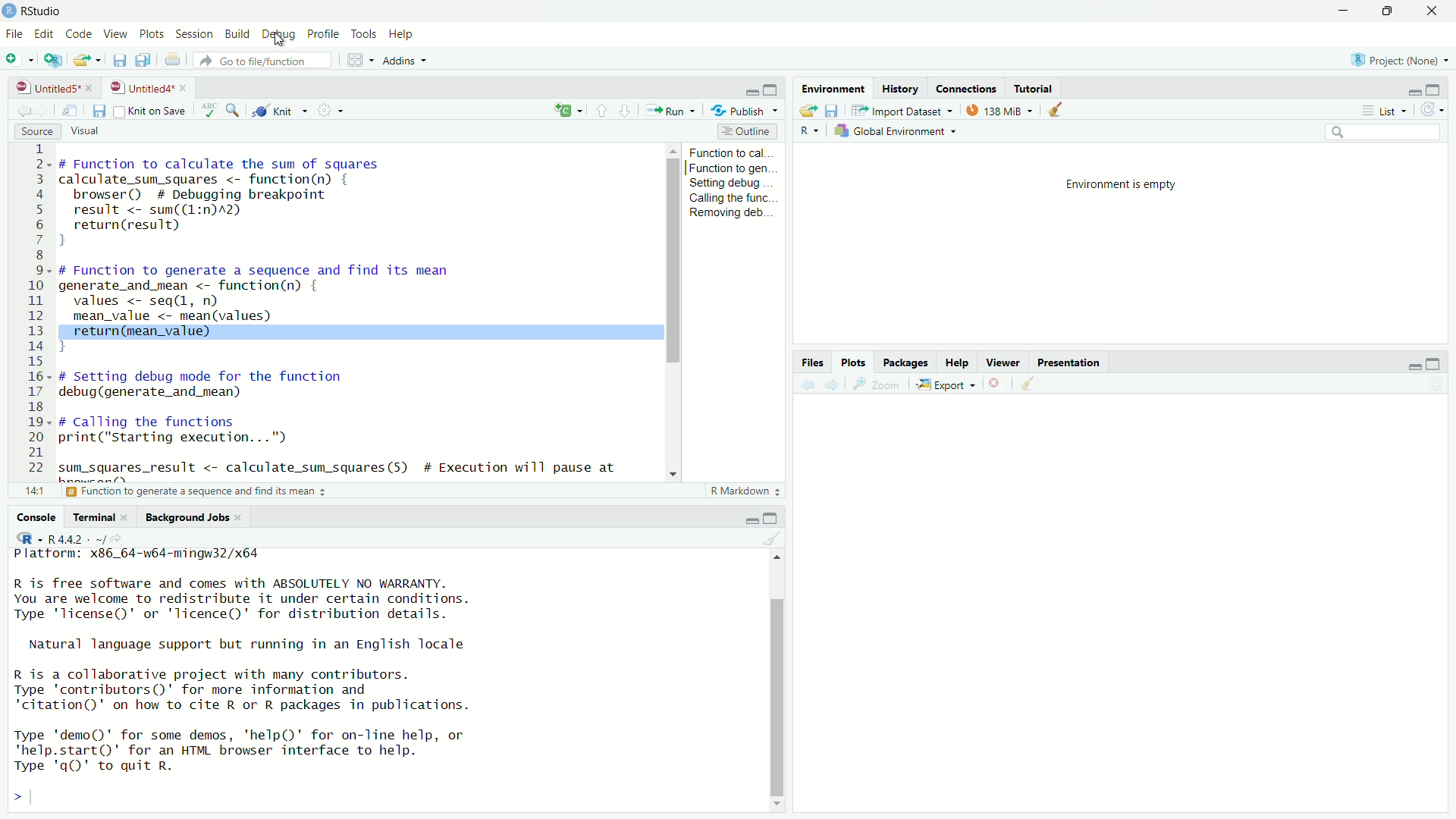 The width and height of the screenshot is (1456, 819). What do you see at coordinates (264, 59) in the screenshot?
I see `go to file/function` at bounding box center [264, 59].